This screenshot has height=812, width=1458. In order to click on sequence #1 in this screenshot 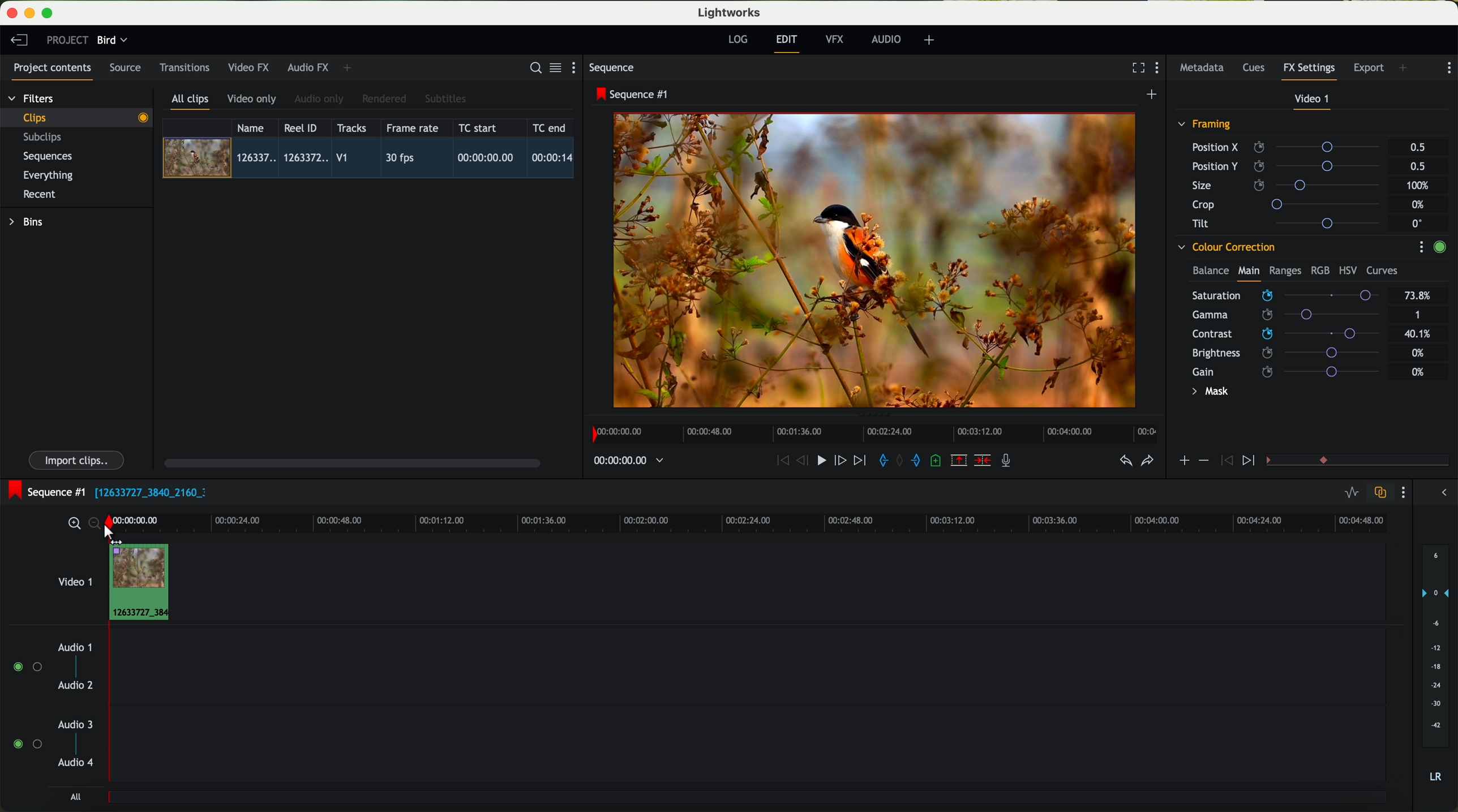, I will do `click(633, 94)`.